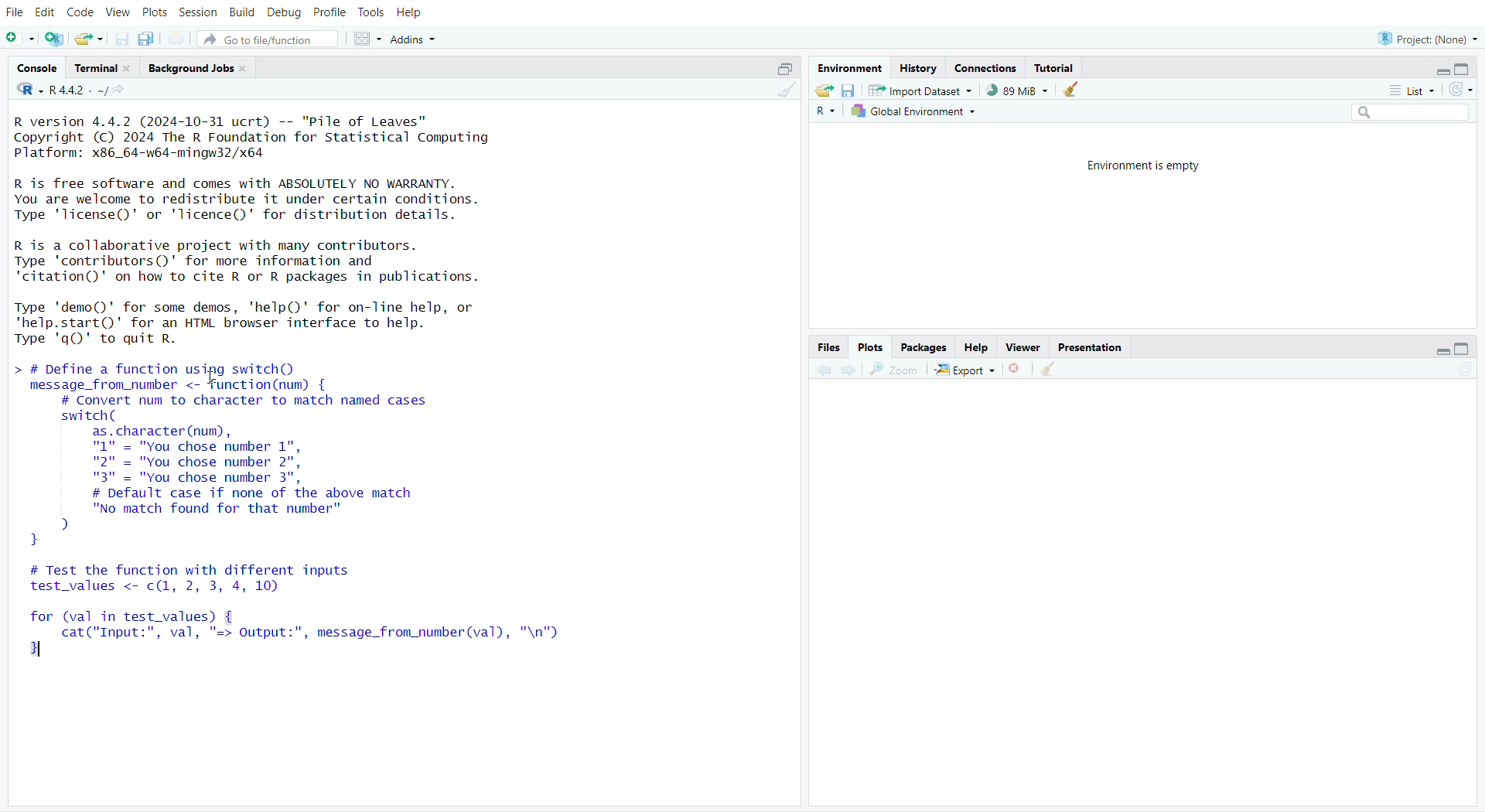  What do you see at coordinates (850, 92) in the screenshot?
I see `Save workspace as` at bounding box center [850, 92].